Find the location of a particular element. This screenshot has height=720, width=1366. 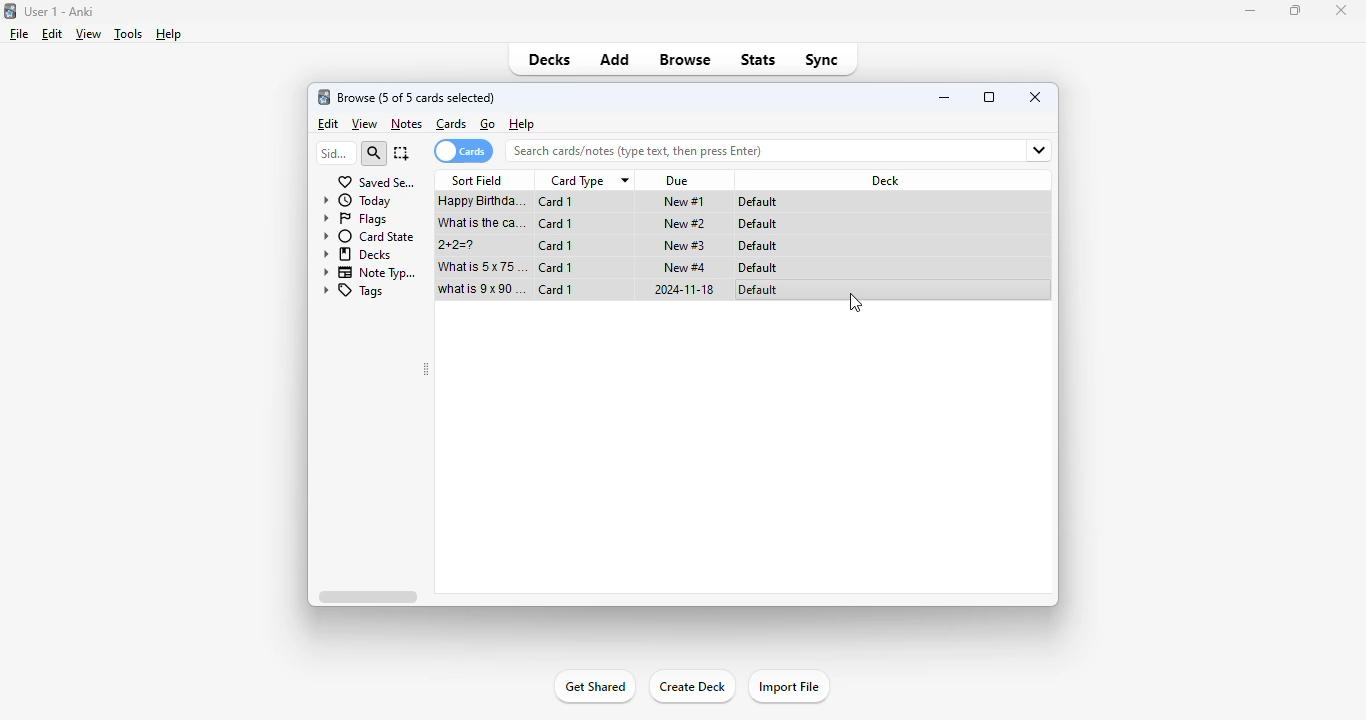

today is located at coordinates (356, 201).